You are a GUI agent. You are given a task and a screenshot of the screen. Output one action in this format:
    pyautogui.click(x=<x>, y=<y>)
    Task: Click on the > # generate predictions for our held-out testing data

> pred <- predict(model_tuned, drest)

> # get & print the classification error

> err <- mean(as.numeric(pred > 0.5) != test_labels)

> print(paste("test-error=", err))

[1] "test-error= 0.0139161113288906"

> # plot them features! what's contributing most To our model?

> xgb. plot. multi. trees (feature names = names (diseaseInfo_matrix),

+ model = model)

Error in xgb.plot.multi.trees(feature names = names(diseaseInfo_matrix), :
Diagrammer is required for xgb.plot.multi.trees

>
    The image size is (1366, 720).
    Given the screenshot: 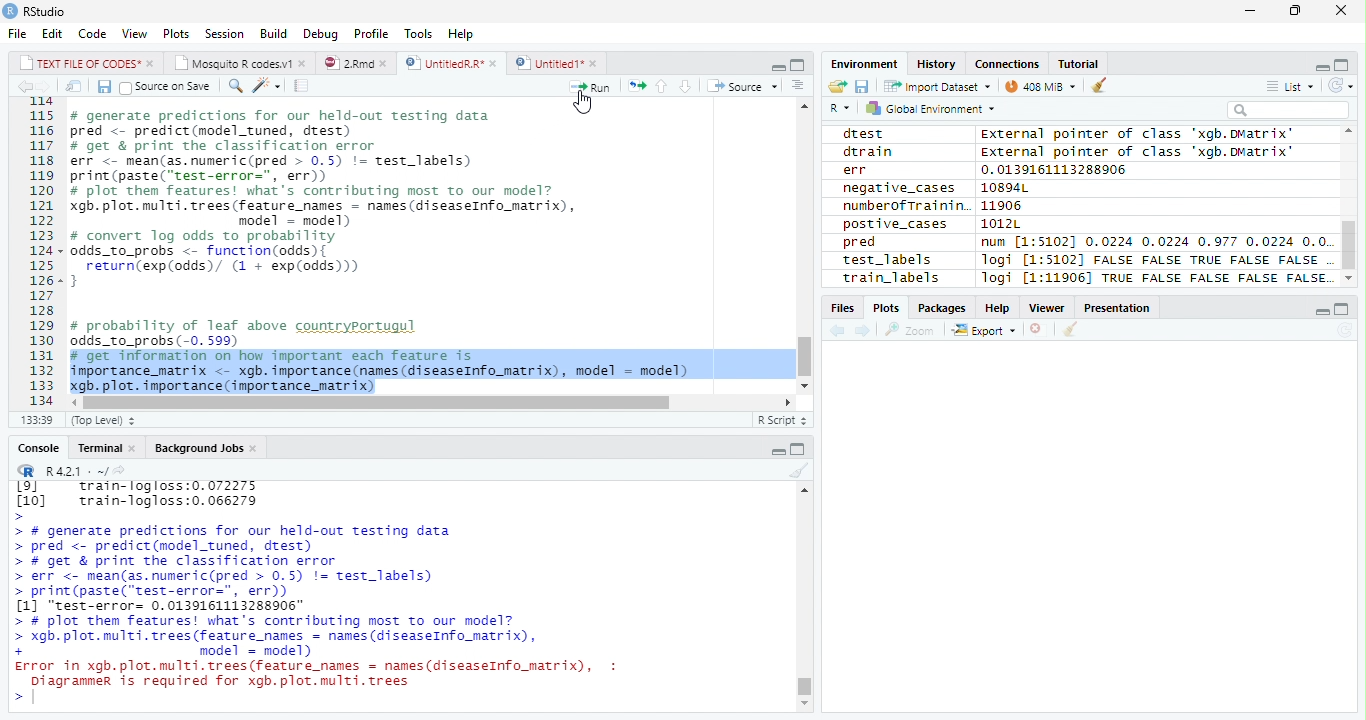 What is the action you would take?
    pyautogui.click(x=323, y=612)
    